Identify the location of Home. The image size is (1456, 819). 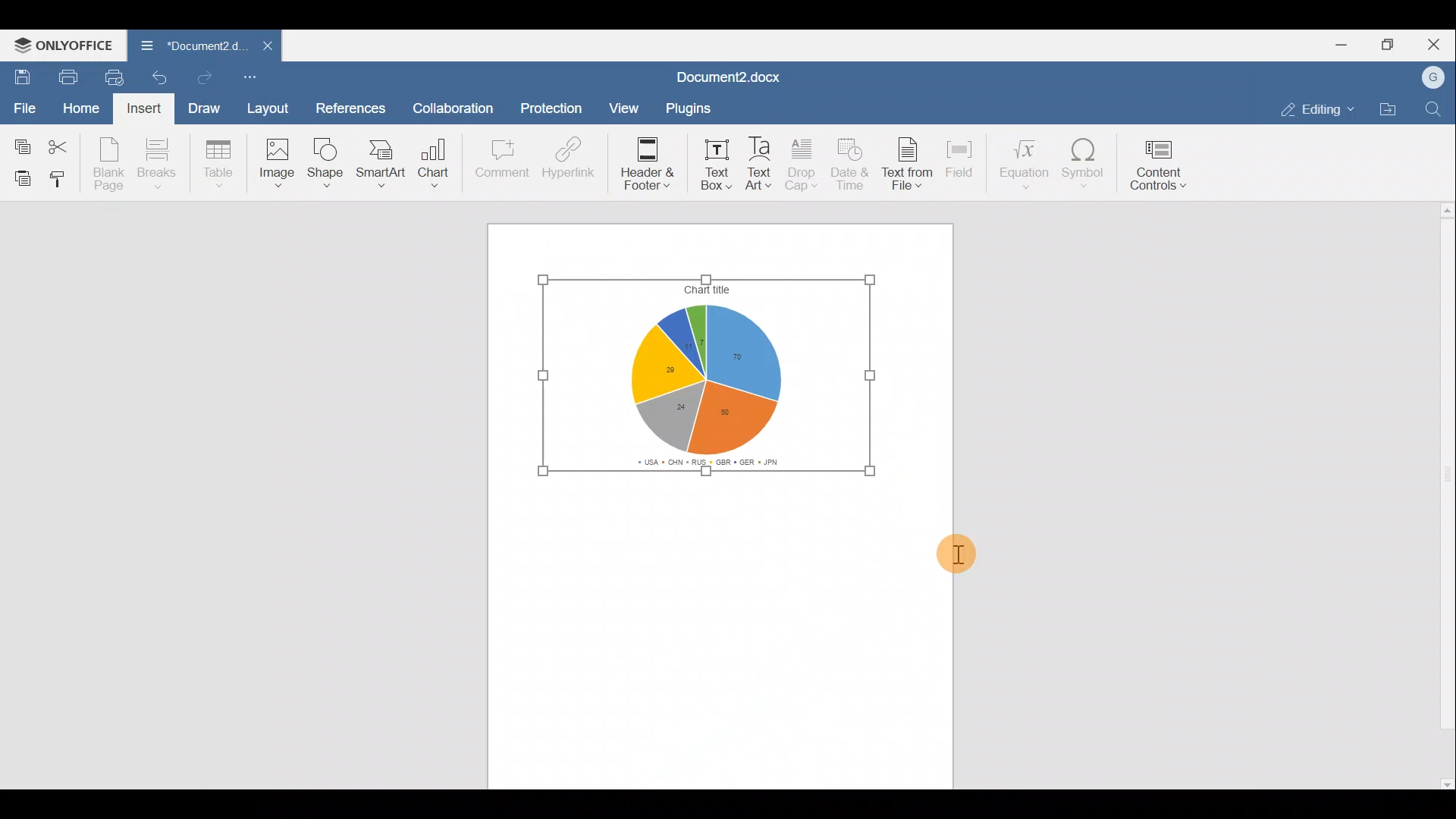
(80, 108).